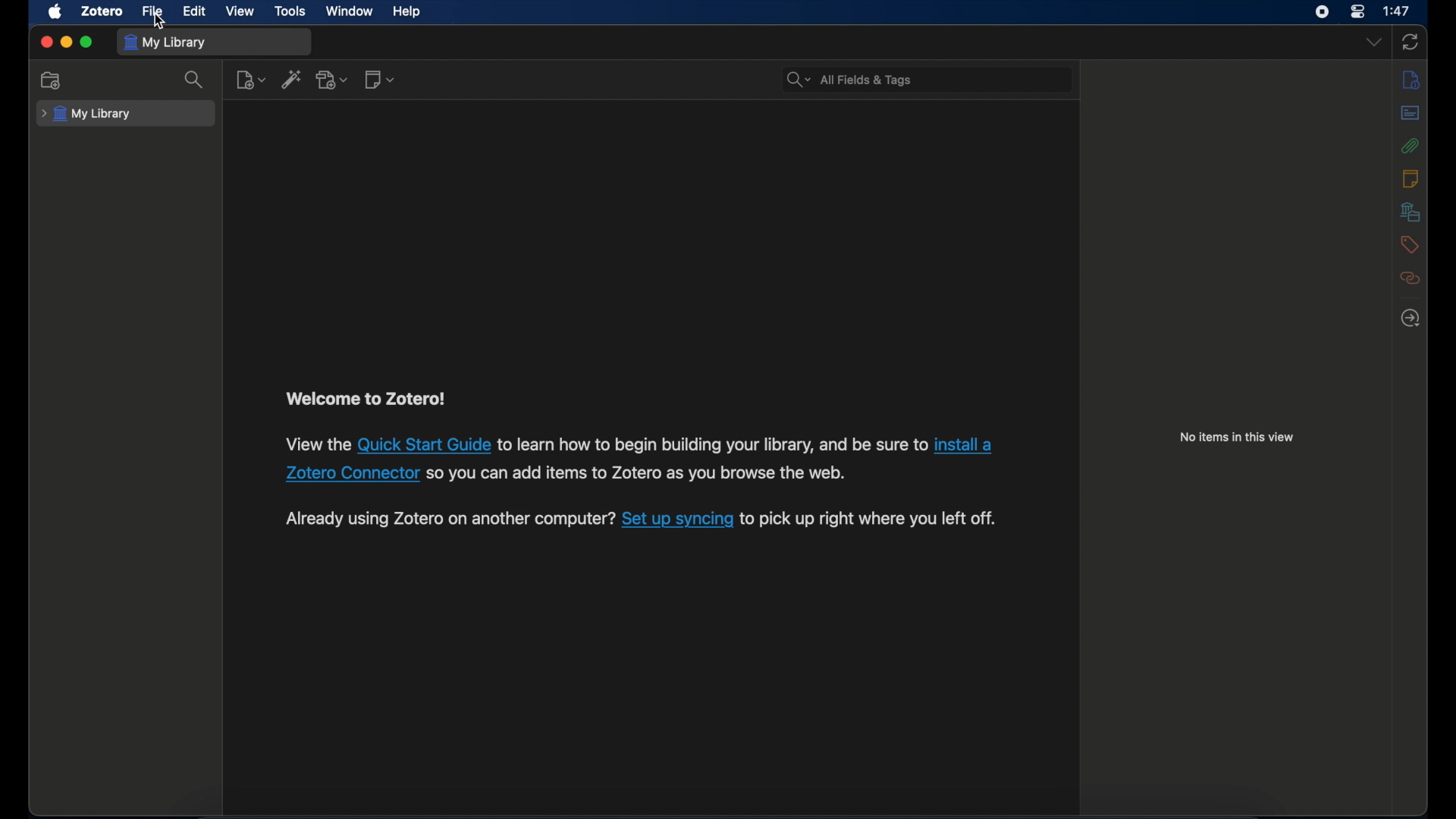 The height and width of the screenshot is (819, 1456). Describe the element at coordinates (160, 23) in the screenshot. I see `cursor` at that location.